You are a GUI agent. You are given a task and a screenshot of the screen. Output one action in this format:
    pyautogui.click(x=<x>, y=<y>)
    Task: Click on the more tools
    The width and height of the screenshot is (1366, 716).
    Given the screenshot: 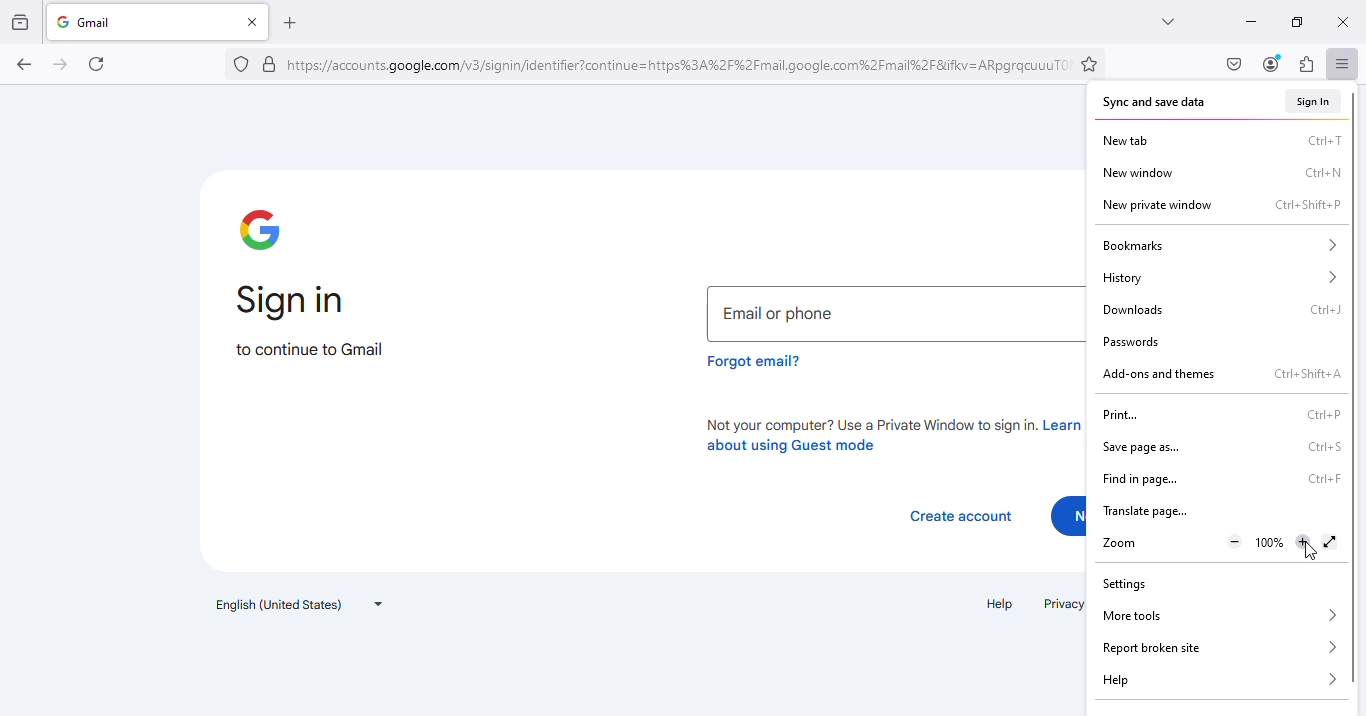 What is the action you would take?
    pyautogui.click(x=1217, y=615)
    